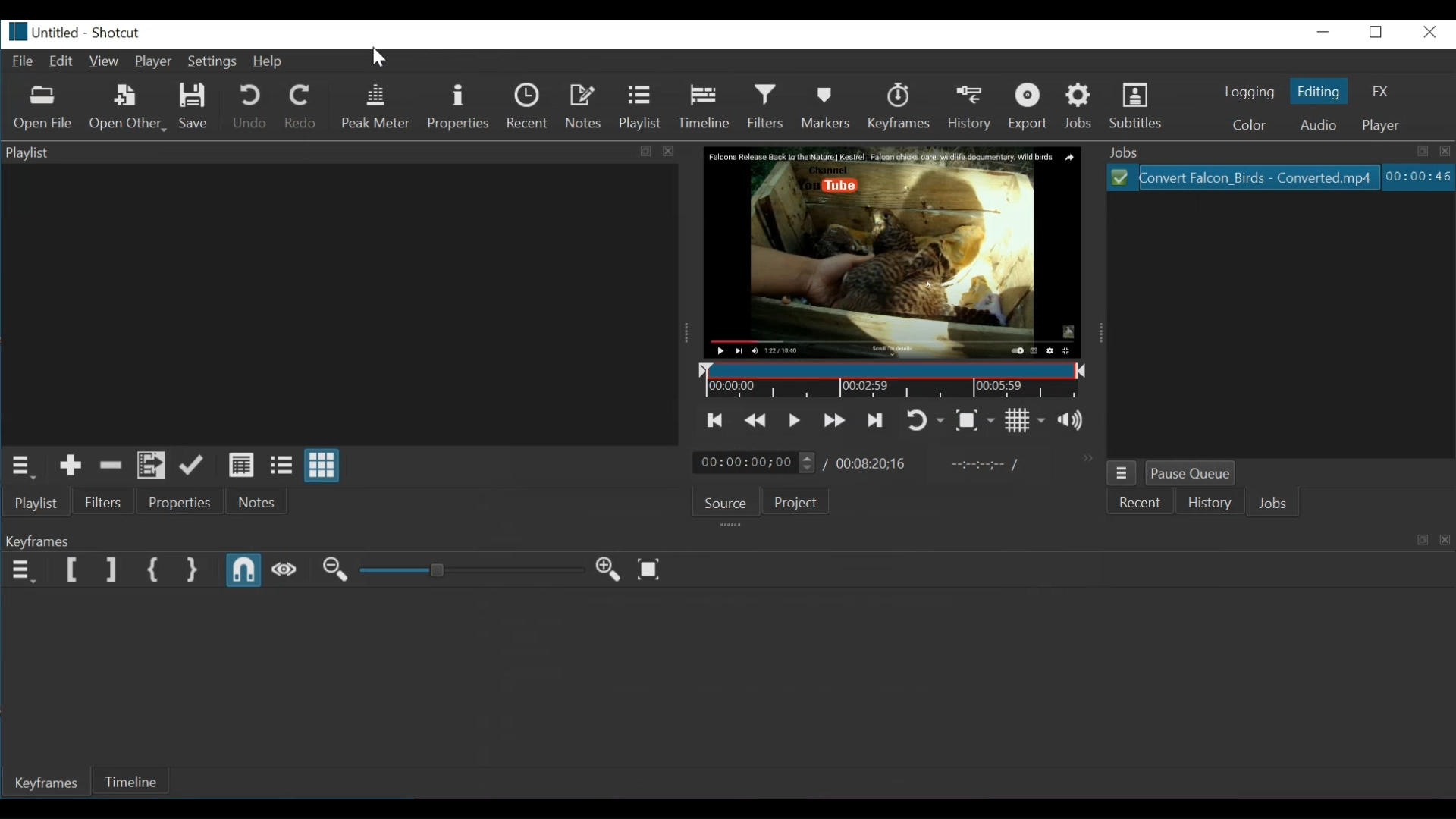 Image resolution: width=1456 pixels, height=819 pixels. I want to click on Help, so click(276, 64).